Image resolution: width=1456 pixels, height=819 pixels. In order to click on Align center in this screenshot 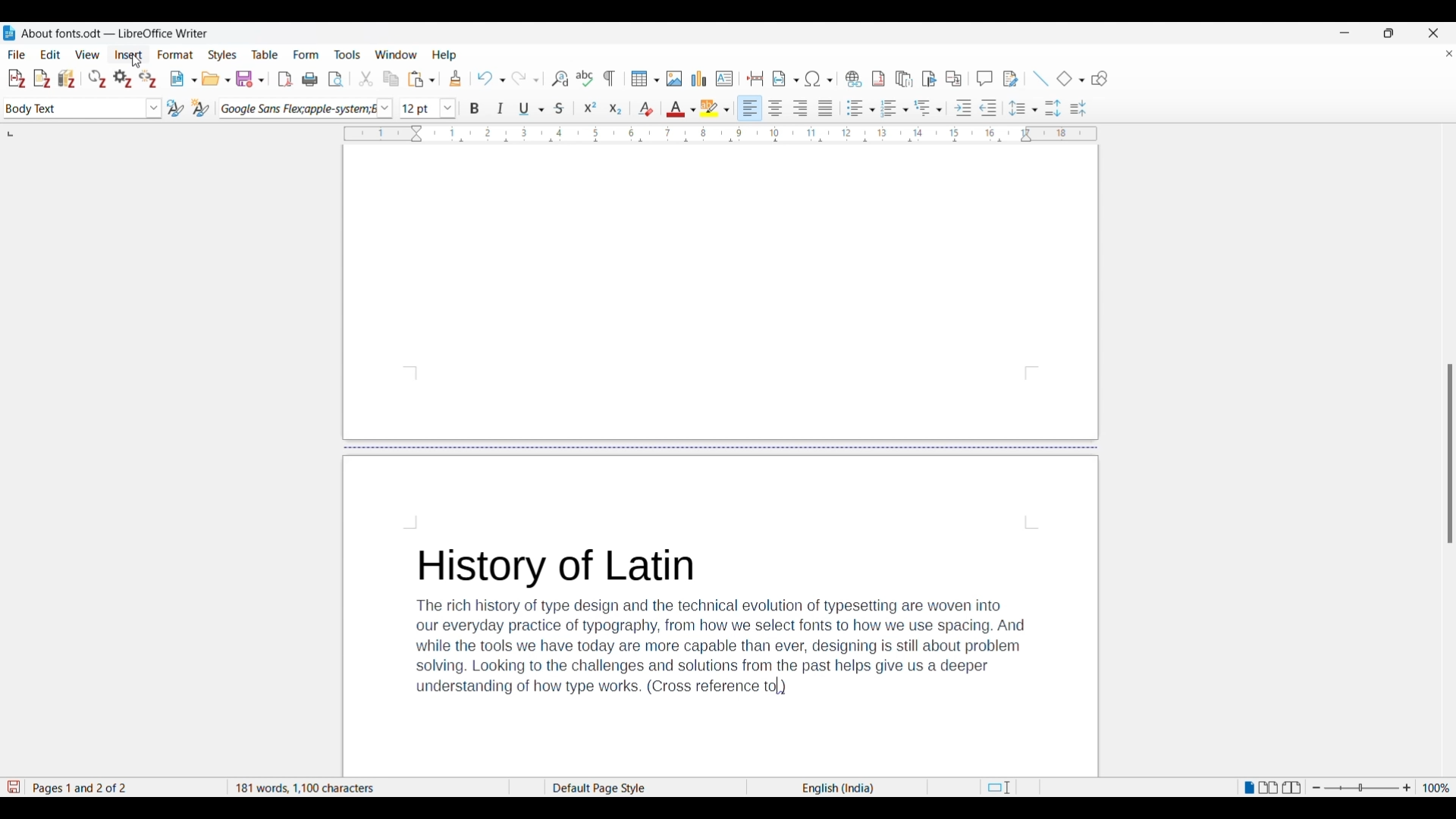, I will do `click(775, 107)`.